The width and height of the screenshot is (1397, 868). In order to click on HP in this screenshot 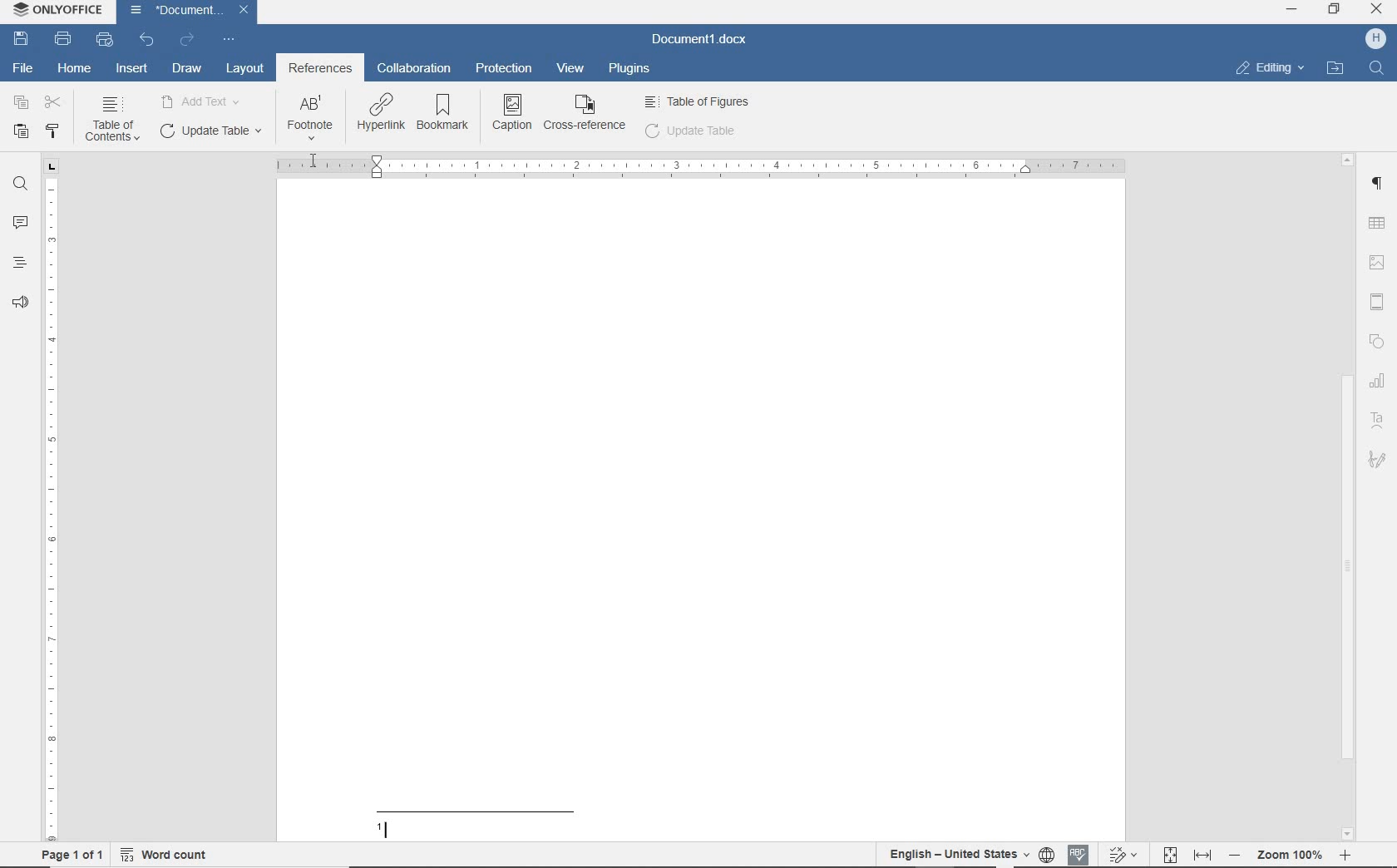, I will do `click(1375, 40)`.